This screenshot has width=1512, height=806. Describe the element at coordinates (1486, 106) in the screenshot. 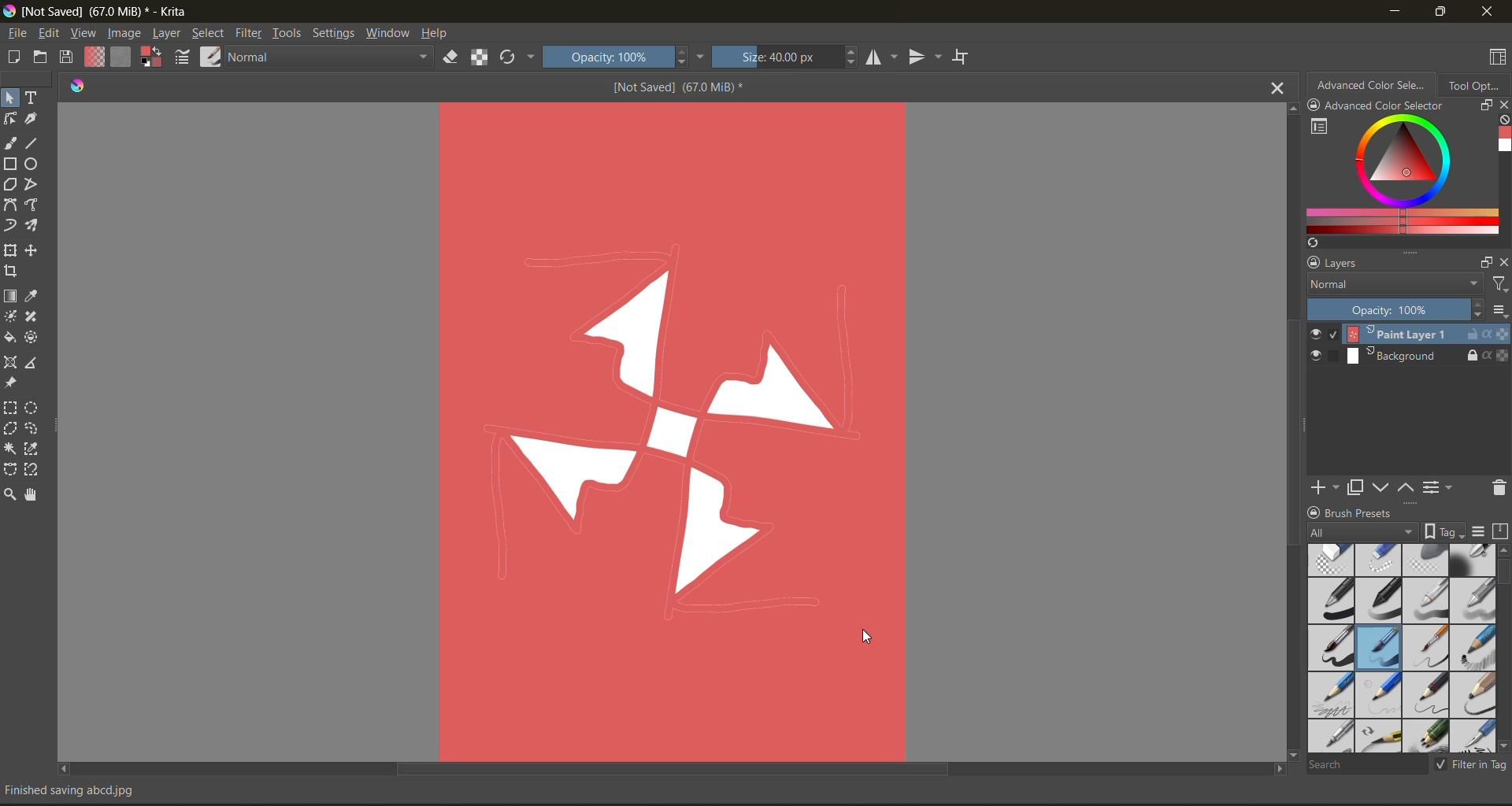

I see `float docker` at that location.